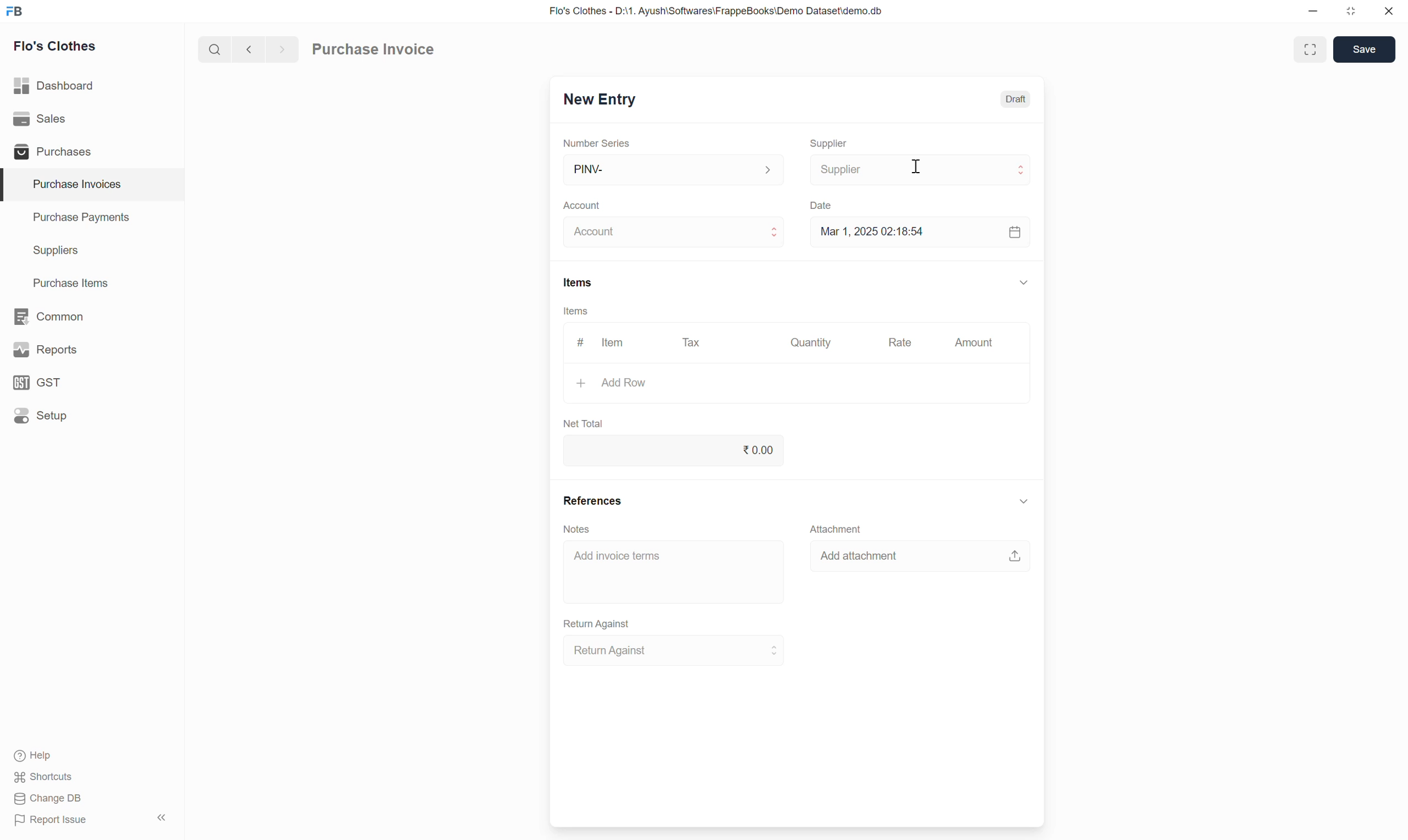  Describe the element at coordinates (44, 777) in the screenshot. I see `Shortcuts` at that location.